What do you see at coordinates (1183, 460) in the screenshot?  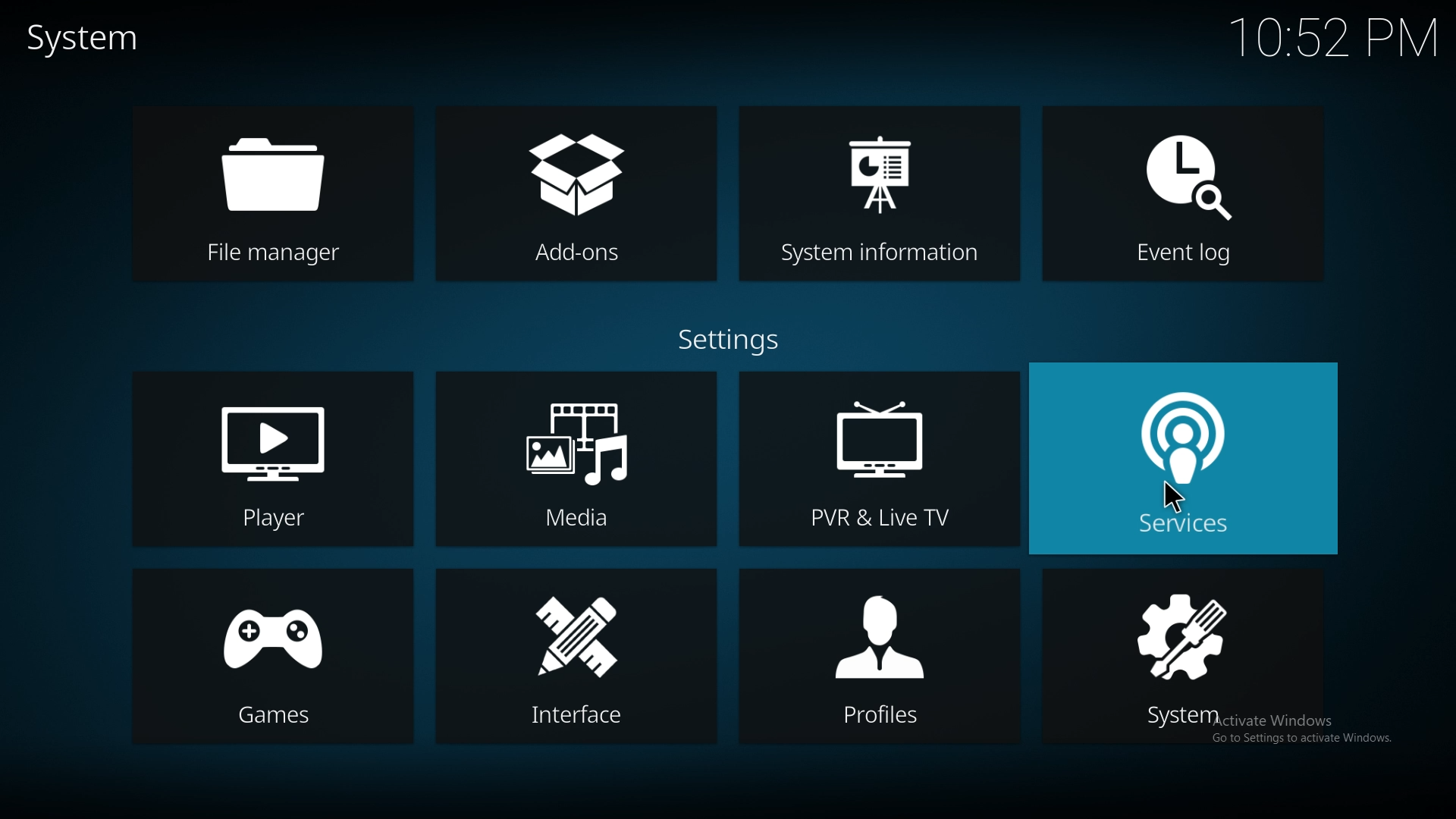 I see `services` at bounding box center [1183, 460].